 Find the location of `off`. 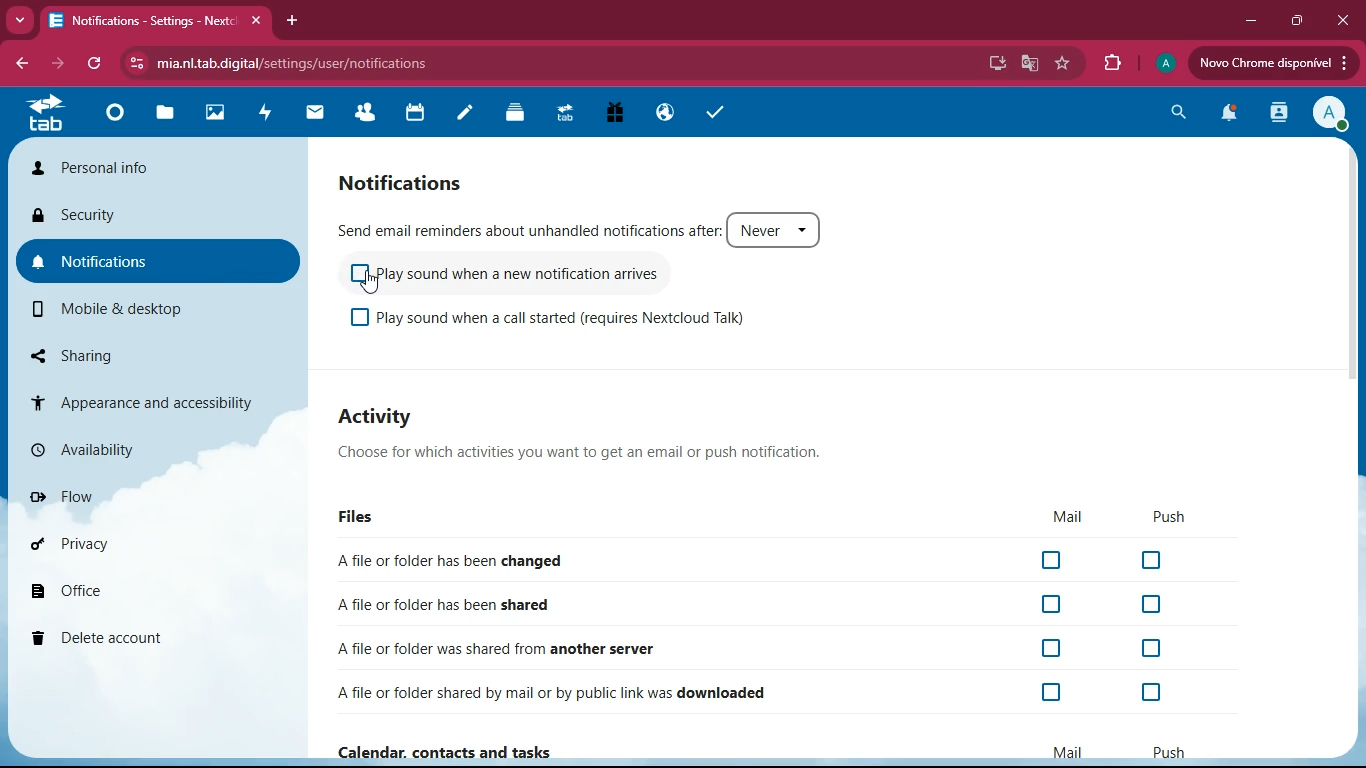

off is located at coordinates (1151, 603).